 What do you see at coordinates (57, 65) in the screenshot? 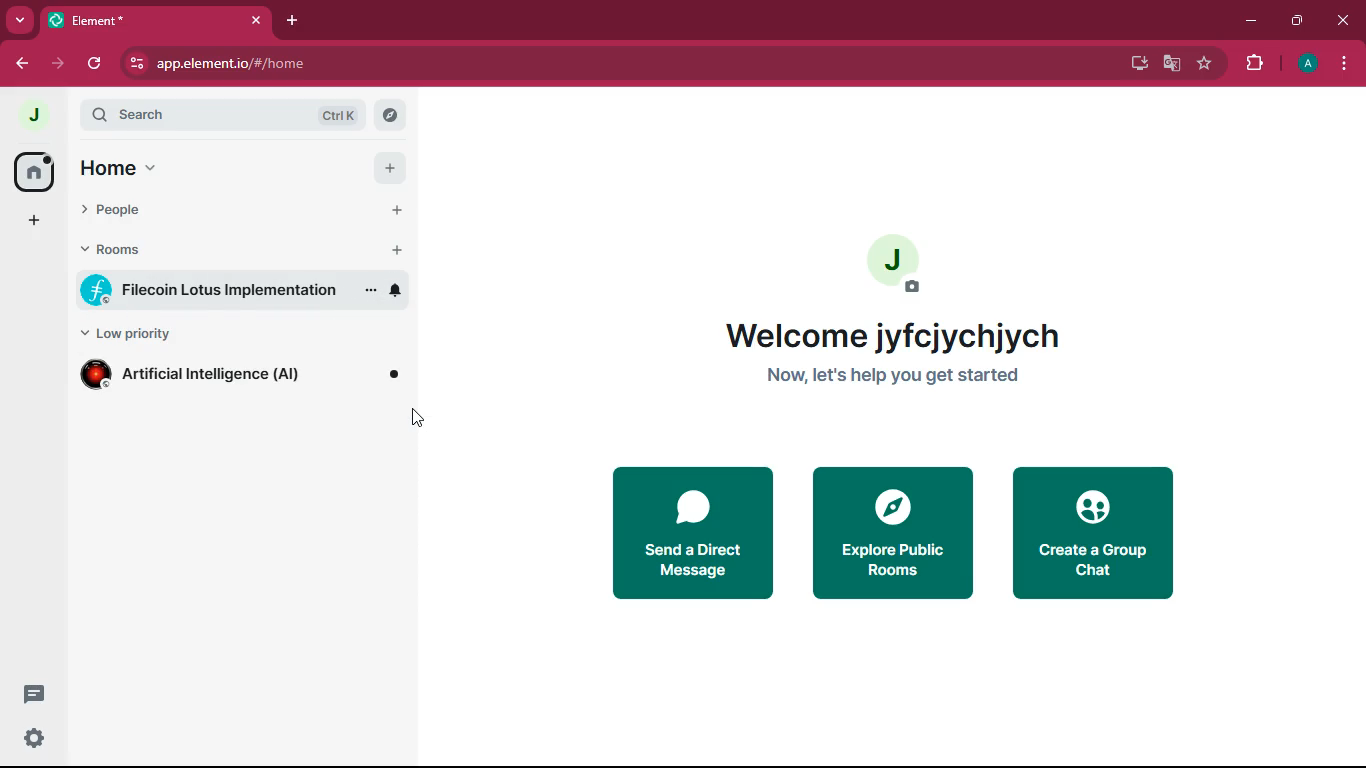
I see `forward` at bounding box center [57, 65].